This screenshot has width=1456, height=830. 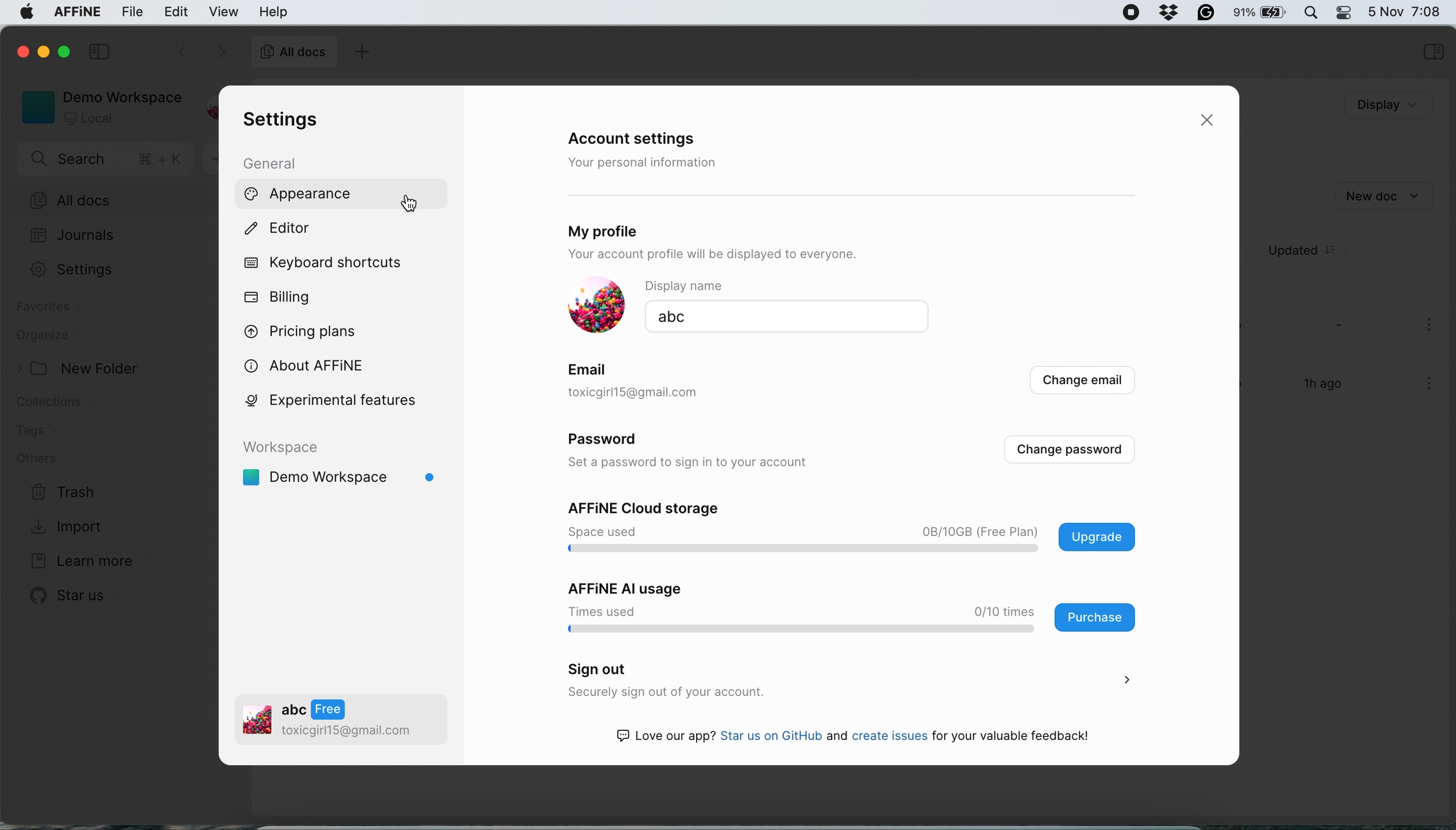 What do you see at coordinates (221, 51) in the screenshot?
I see `switch between options` at bounding box center [221, 51].